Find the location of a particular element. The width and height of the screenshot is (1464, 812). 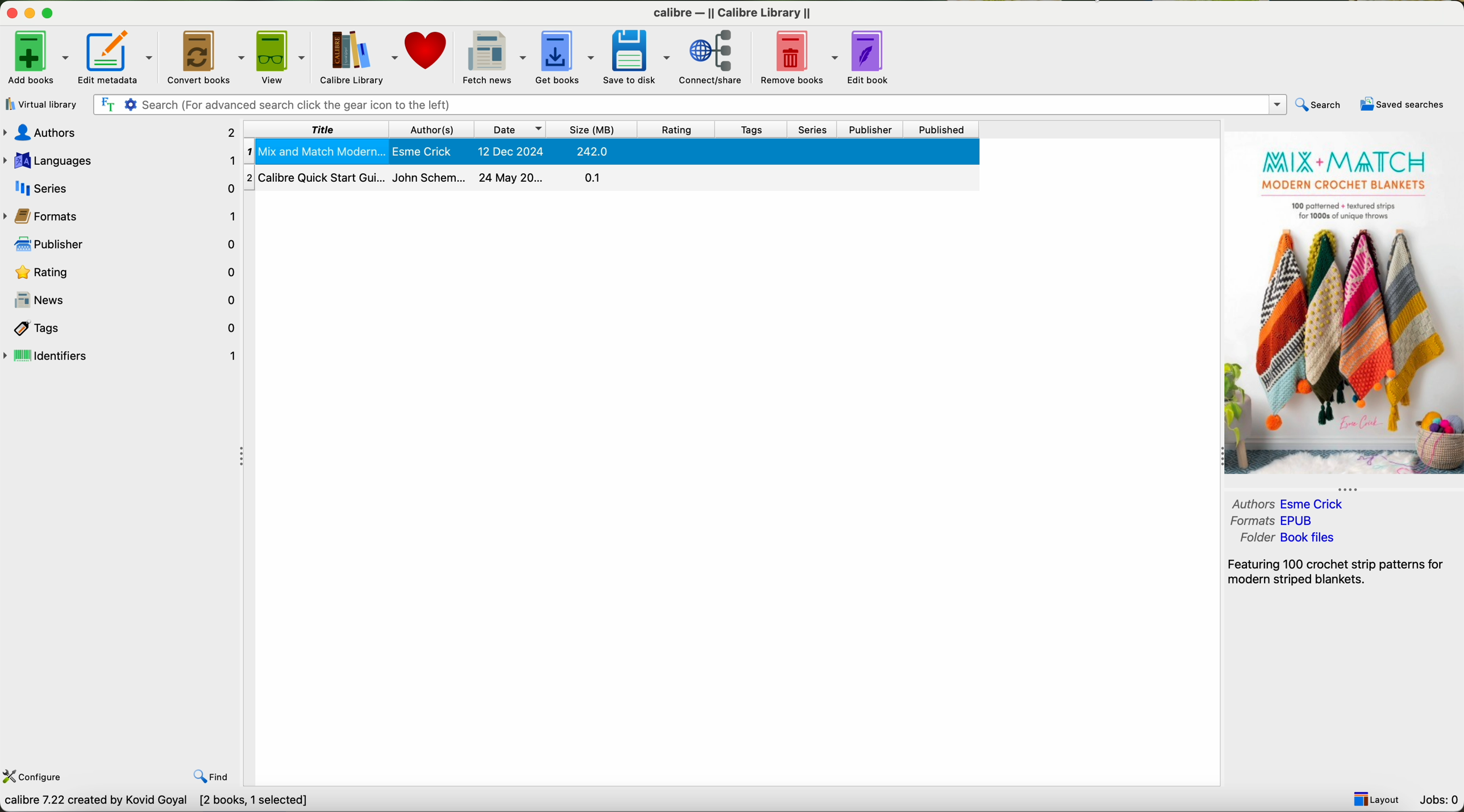

convert books is located at coordinates (207, 56).